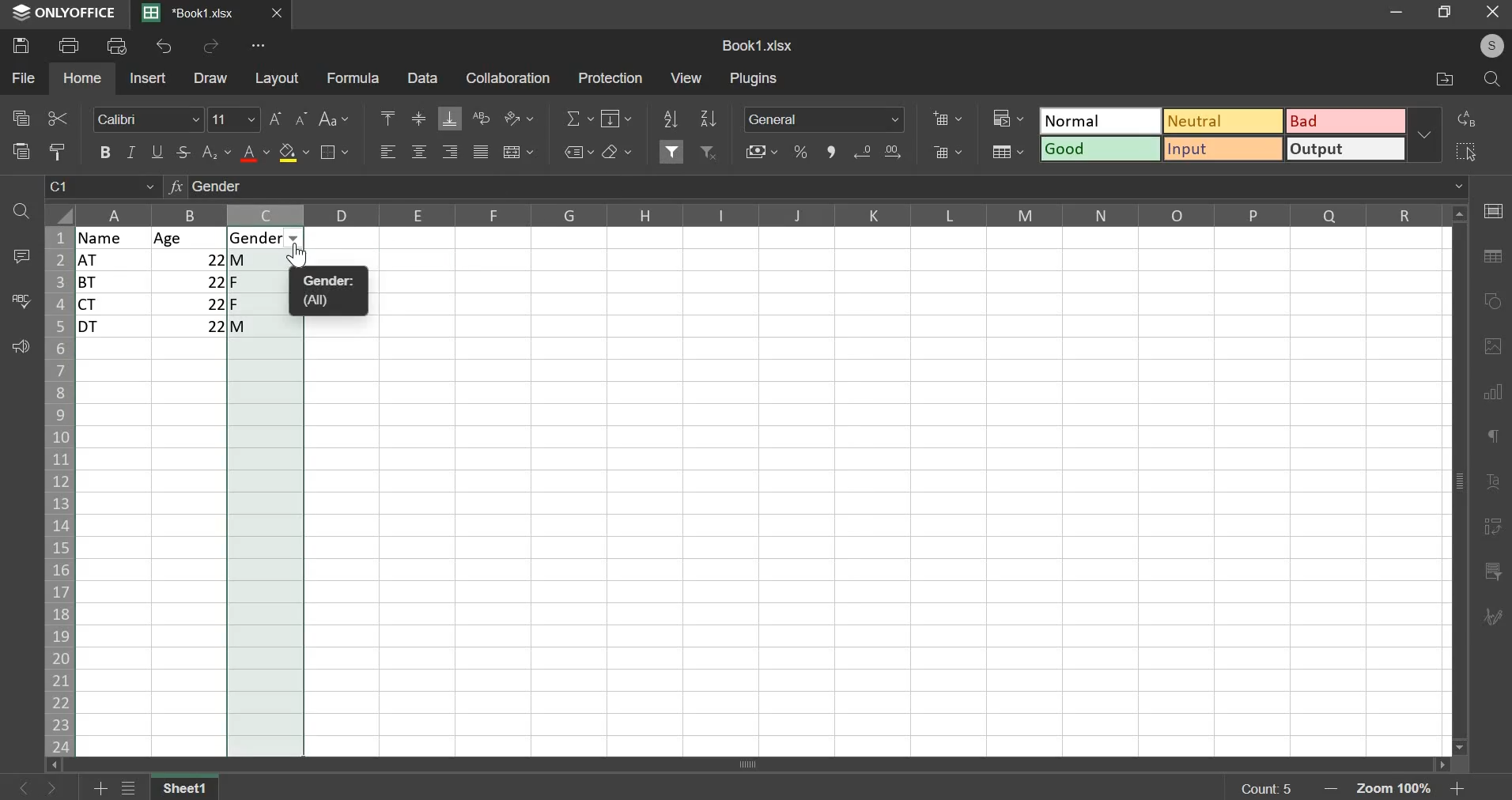  What do you see at coordinates (1007, 152) in the screenshot?
I see `format as table template` at bounding box center [1007, 152].